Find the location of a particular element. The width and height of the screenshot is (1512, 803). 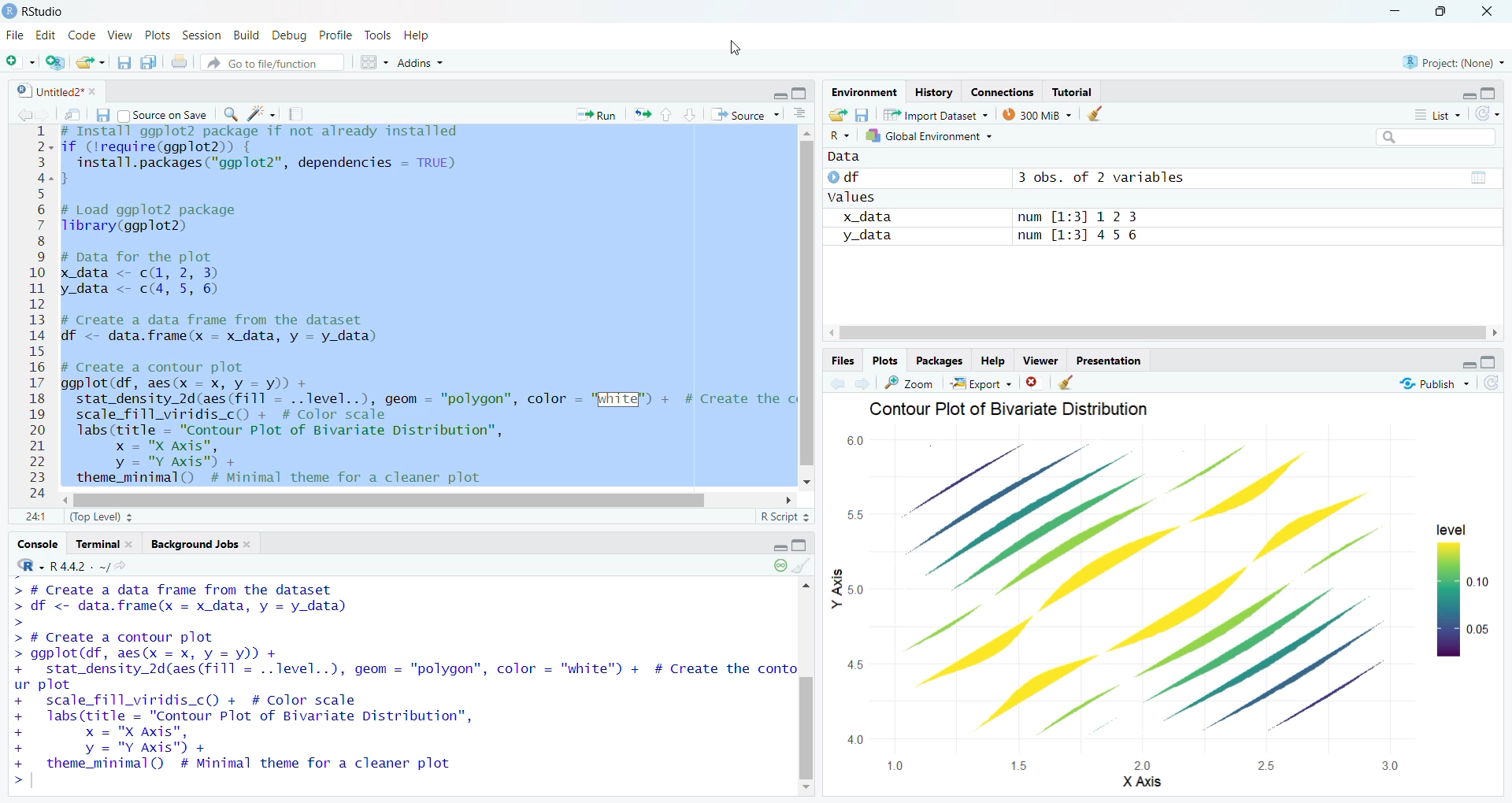

r 4.4.2 is located at coordinates (79, 564).